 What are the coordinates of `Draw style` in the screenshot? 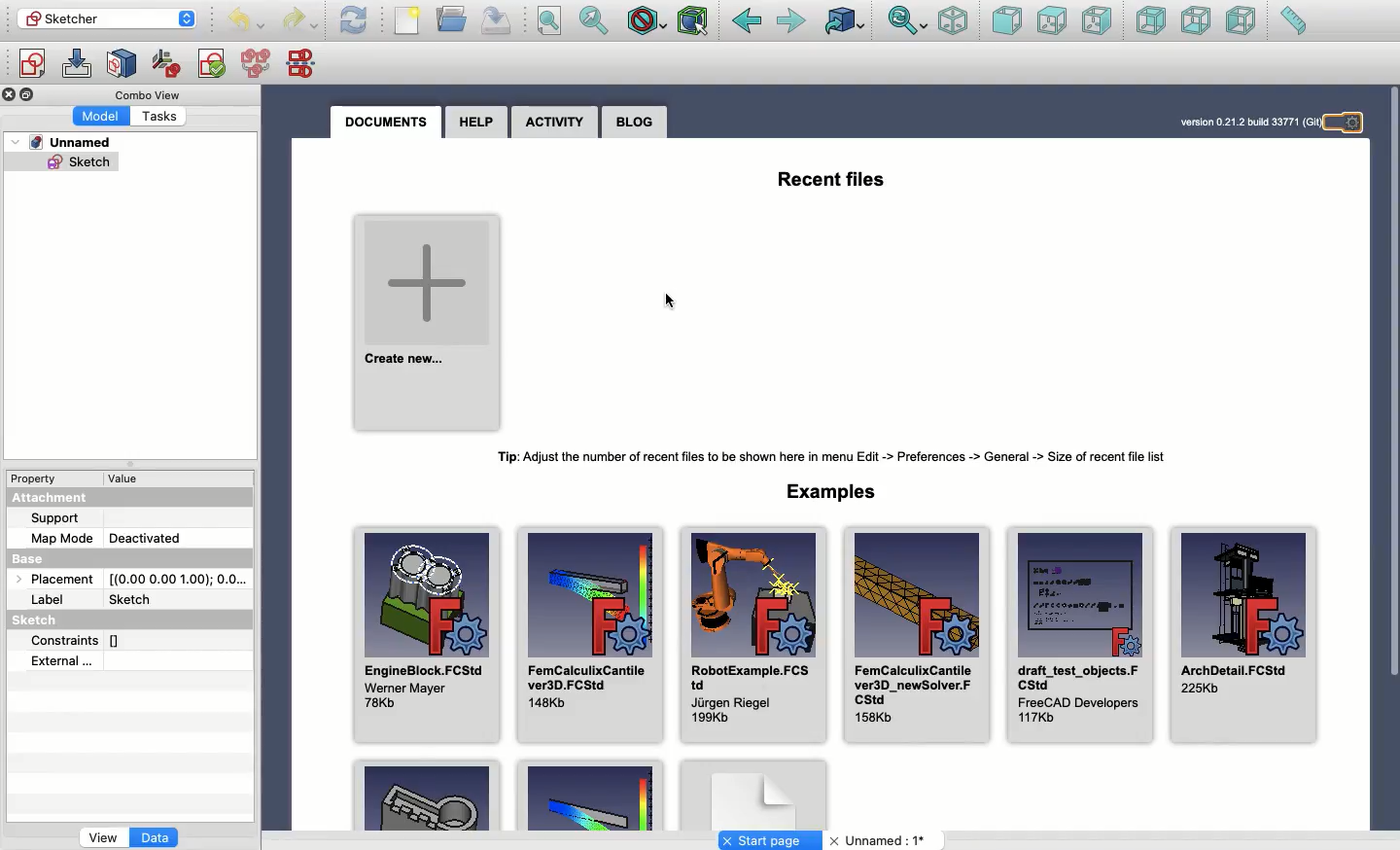 It's located at (648, 20).